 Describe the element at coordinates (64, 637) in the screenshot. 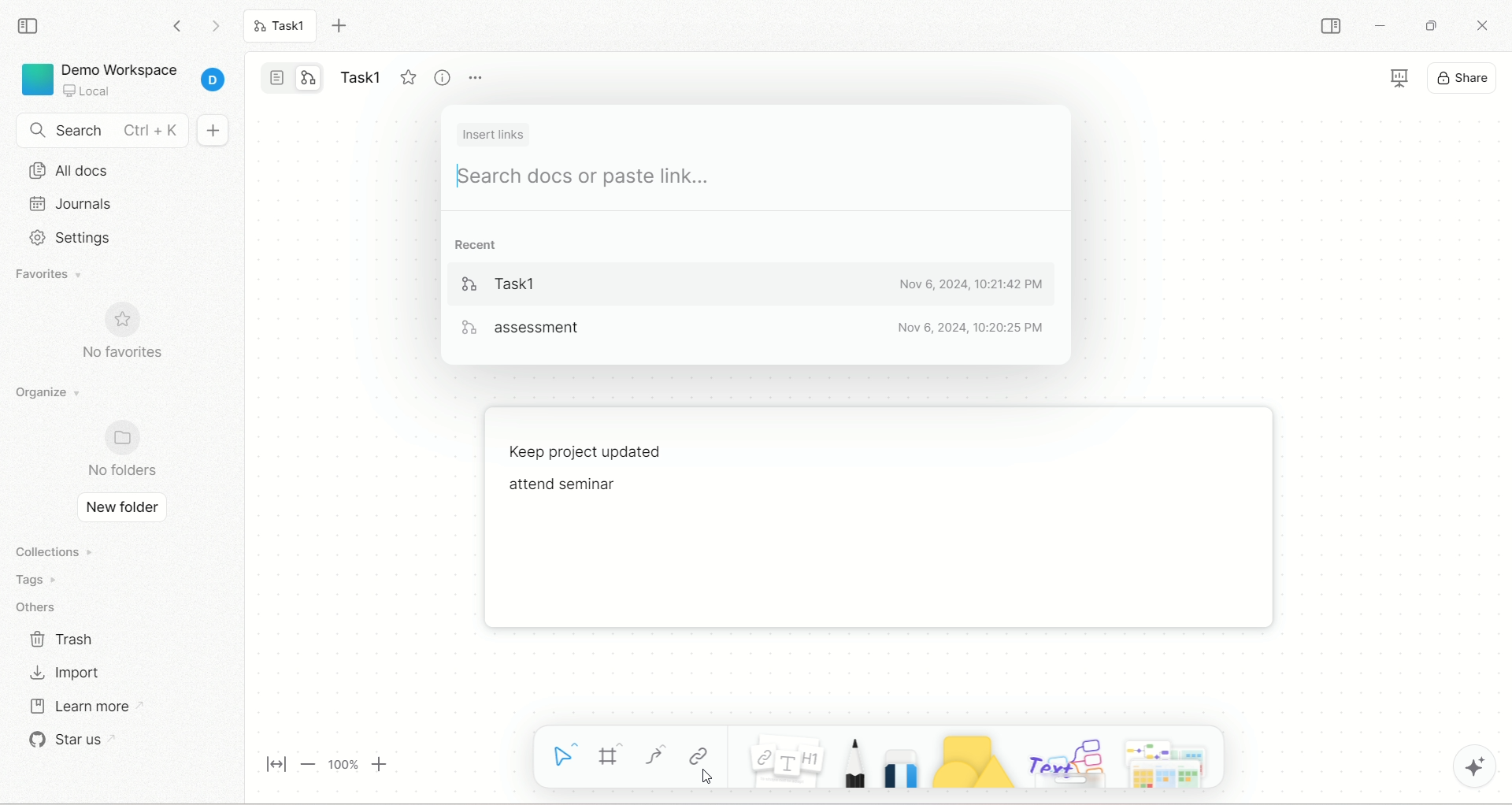

I see `trash` at that location.